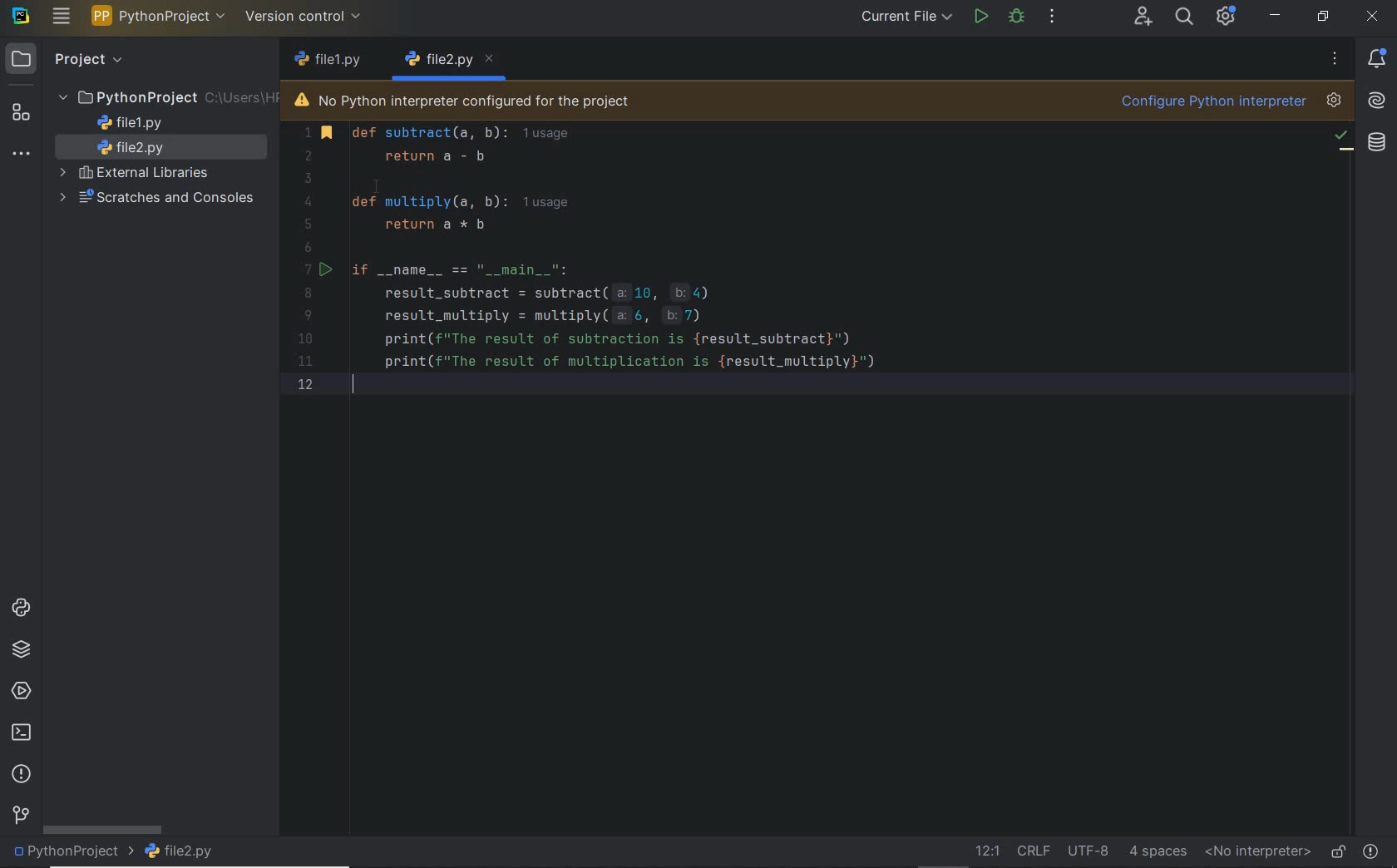 This screenshot has width=1397, height=868. Describe the element at coordinates (1372, 849) in the screenshot. I see `problems` at that location.